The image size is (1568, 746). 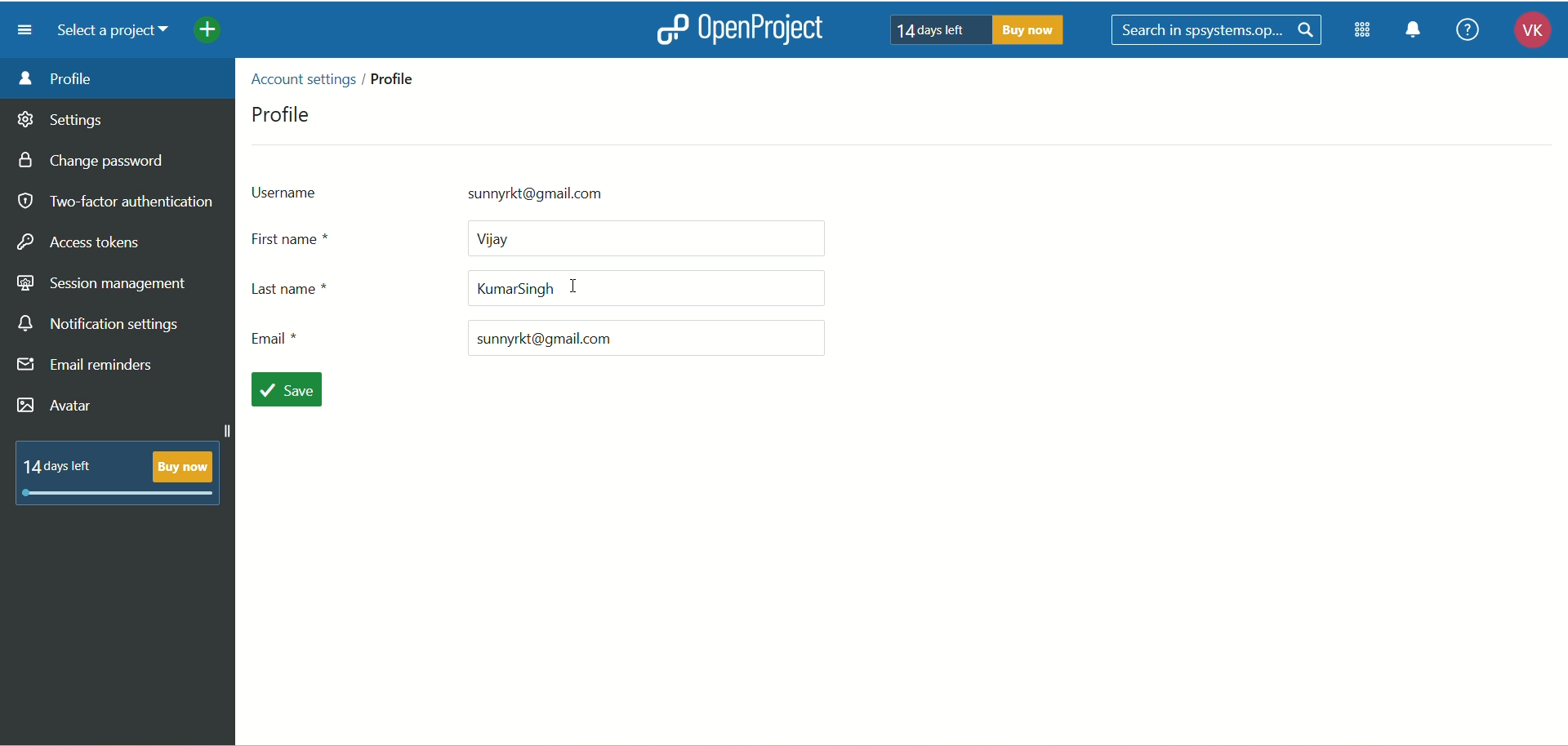 I want to click on save, so click(x=292, y=391).